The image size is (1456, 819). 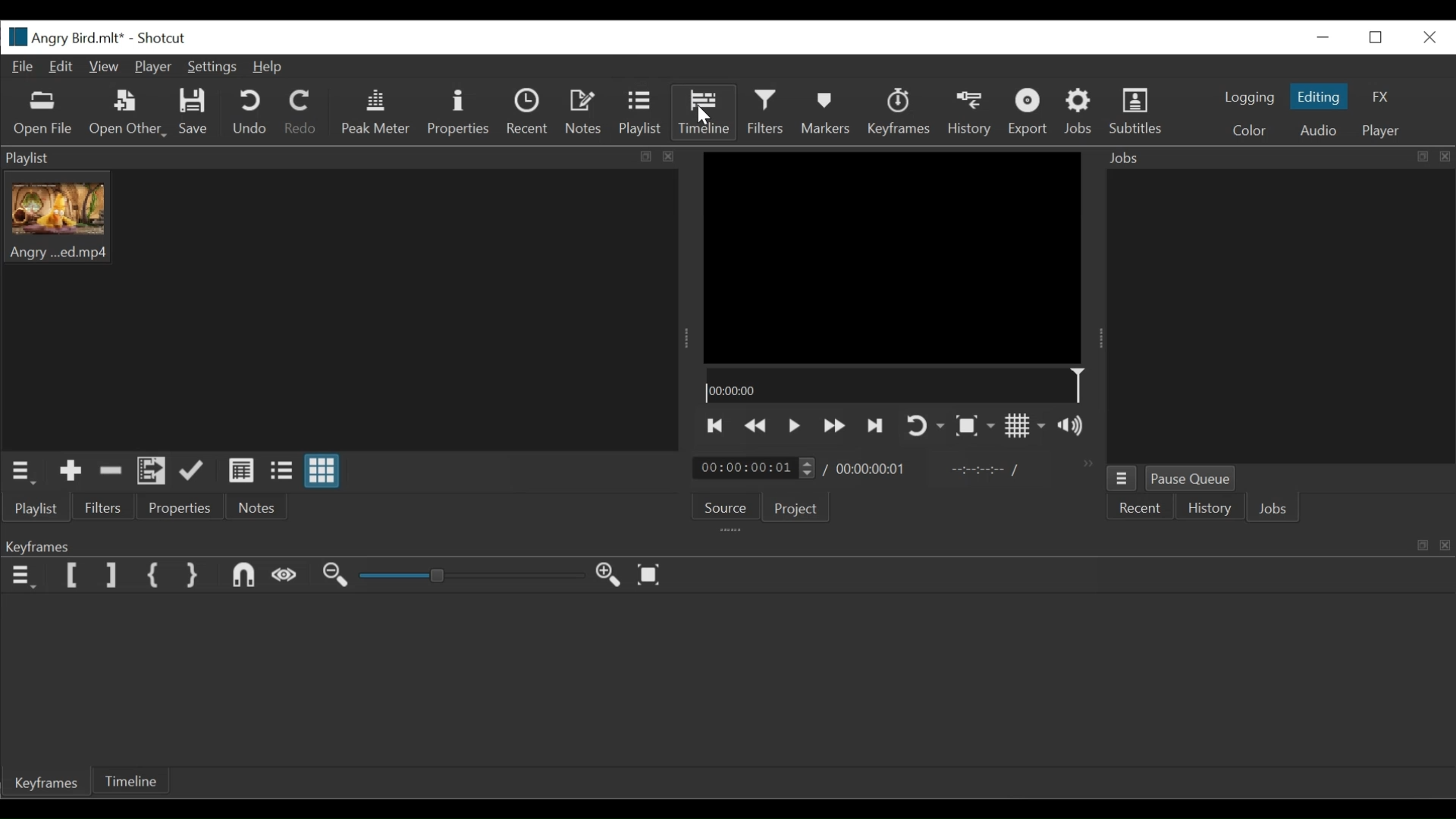 What do you see at coordinates (193, 576) in the screenshot?
I see `Set Second Simple Keyframe` at bounding box center [193, 576].